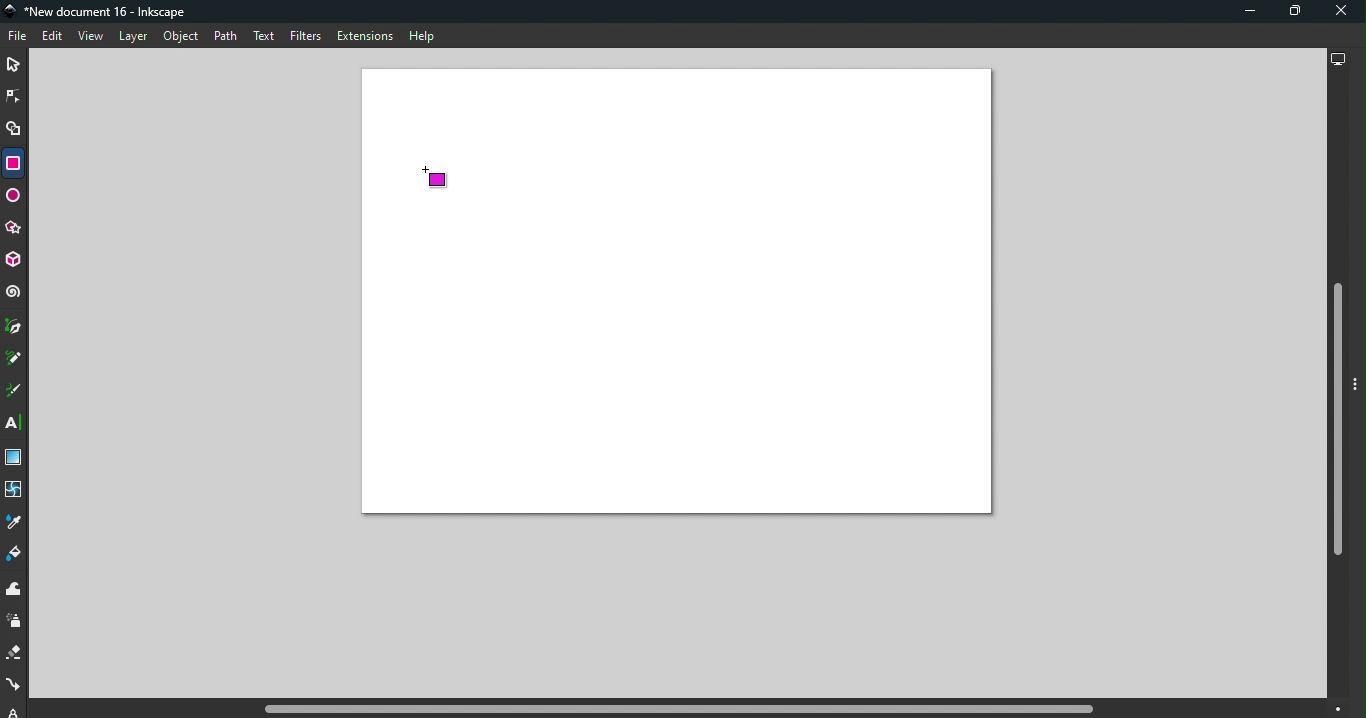 Image resolution: width=1366 pixels, height=718 pixels. What do you see at coordinates (13, 66) in the screenshot?
I see `Selector` at bounding box center [13, 66].